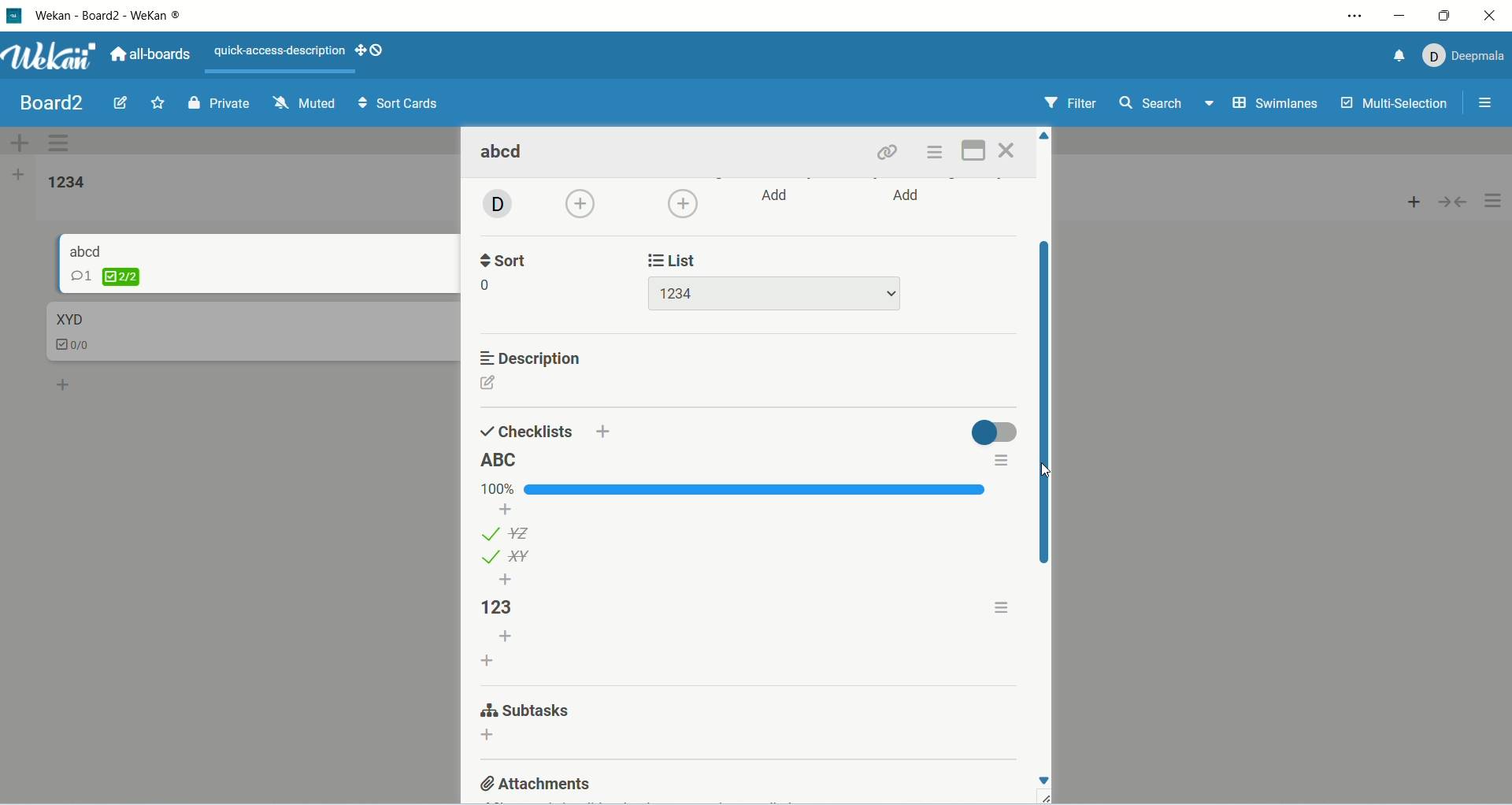  I want to click on account, so click(1464, 56).